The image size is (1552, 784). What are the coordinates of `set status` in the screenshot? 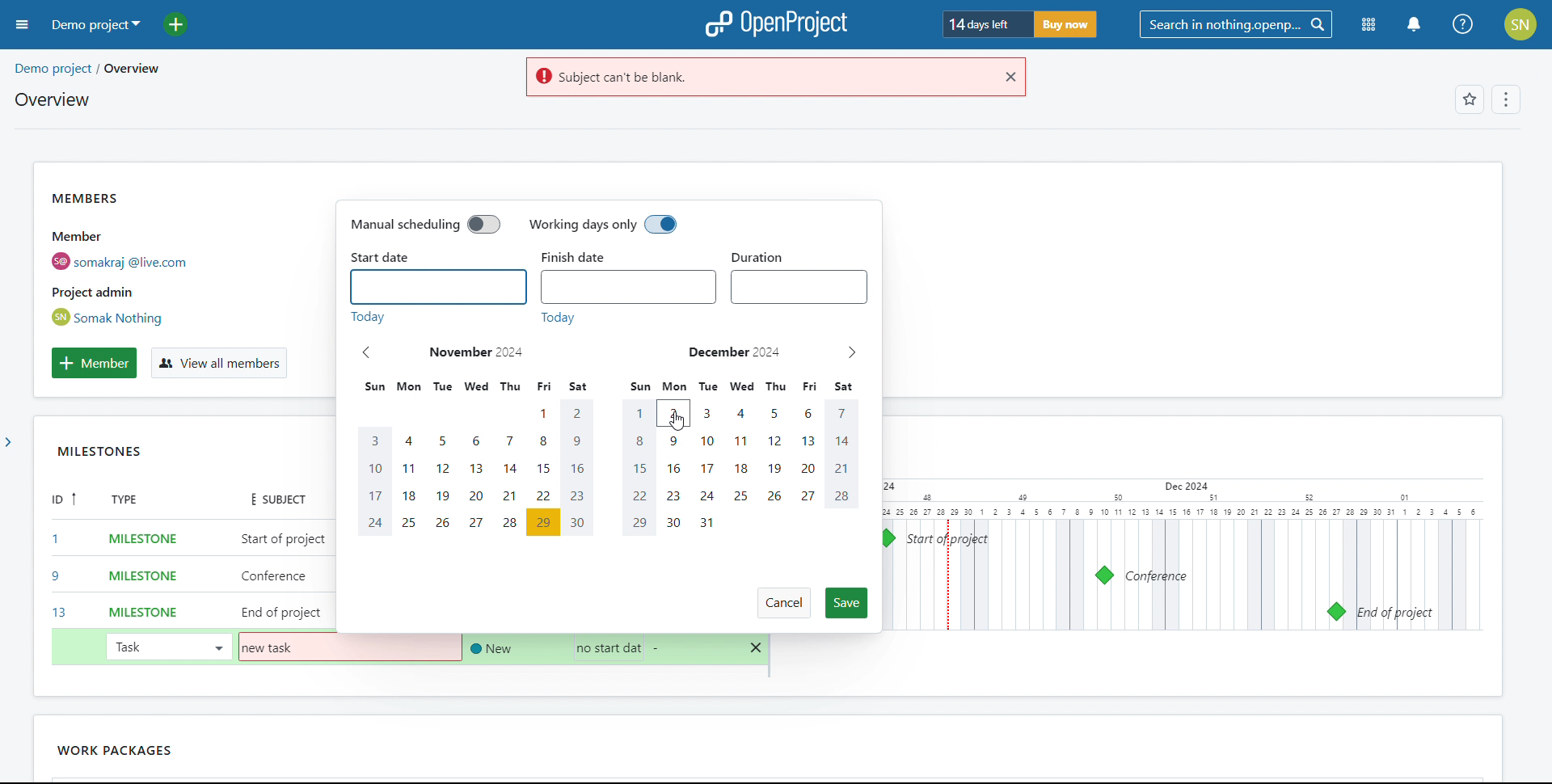 It's located at (488, 648).